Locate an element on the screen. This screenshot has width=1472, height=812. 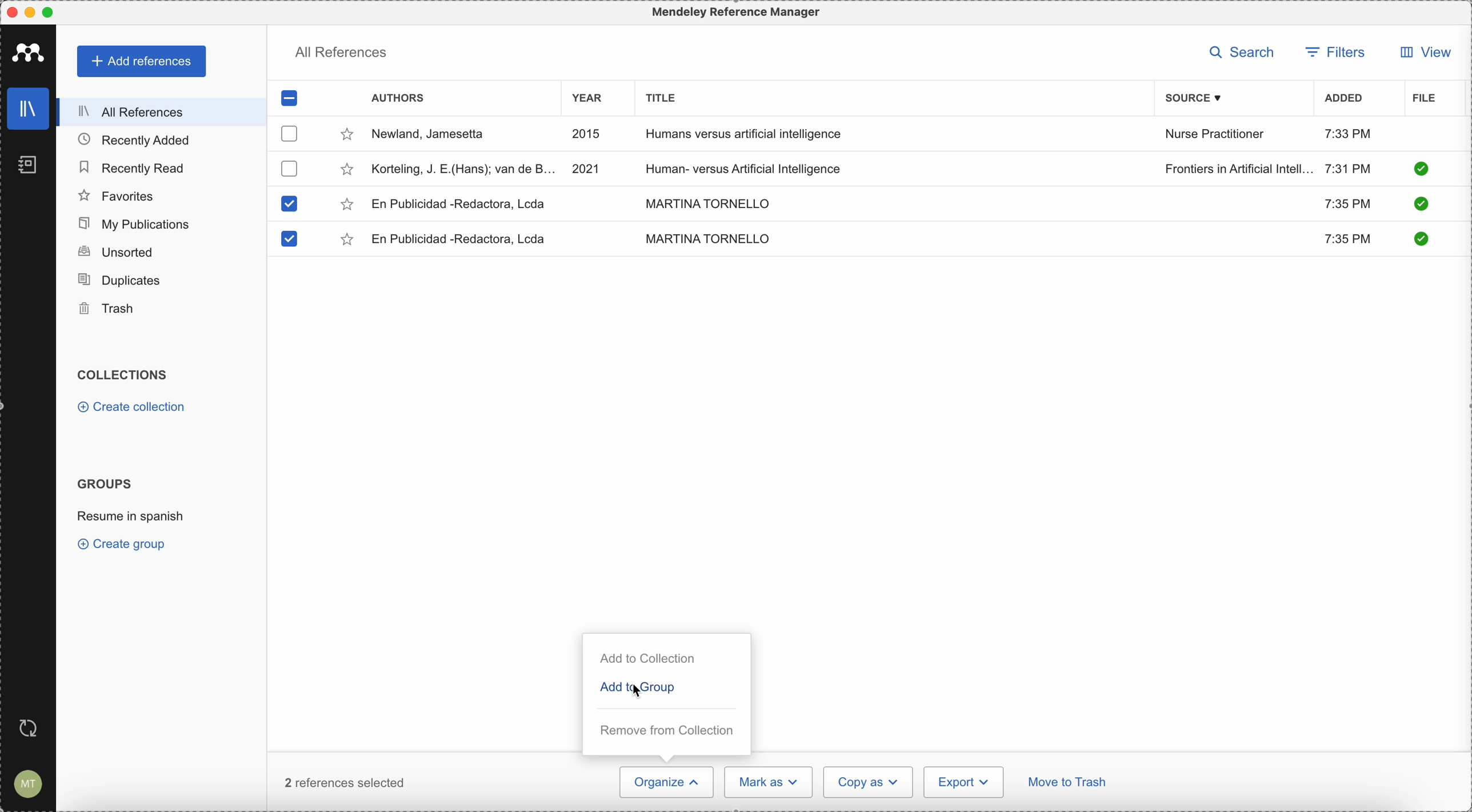
my publications is located at coordinates (135, 224).